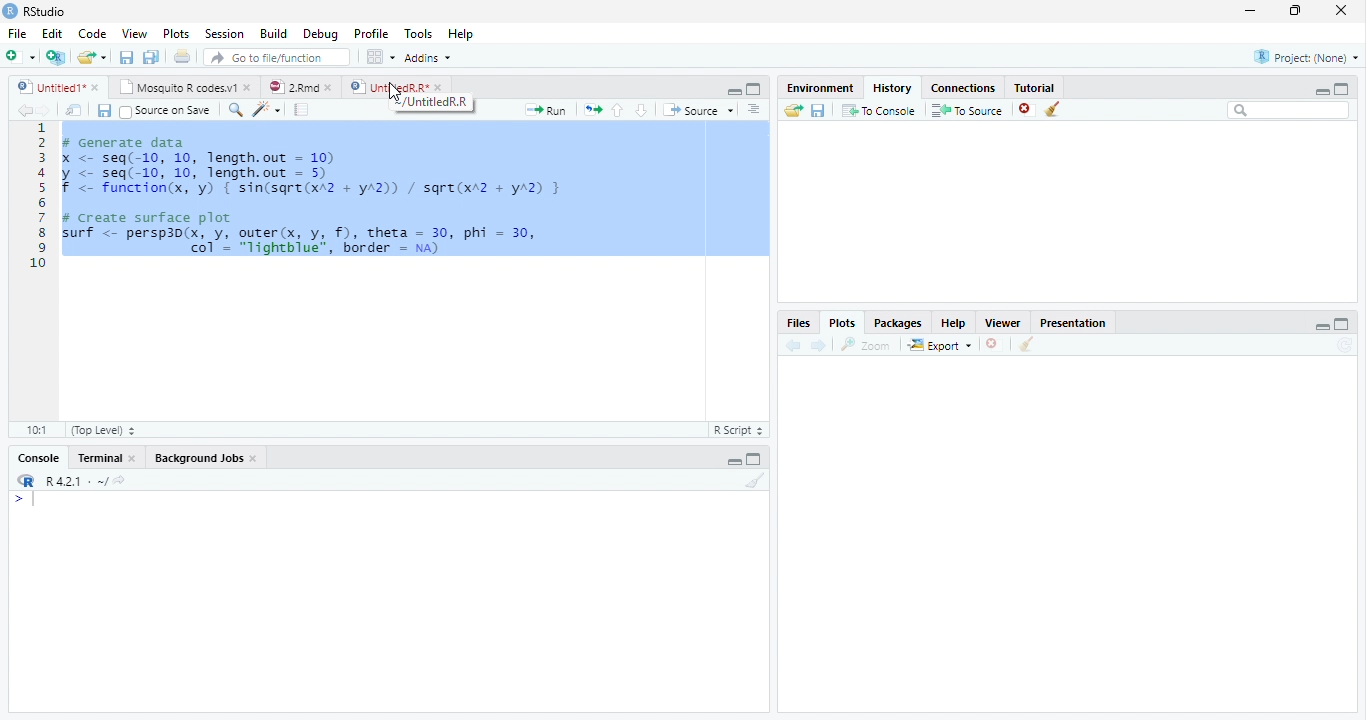 This screenshot has width=1366, height=720. What do you see at coordinates (1026, 110) in the screenshot?
I see `Remove the selected history entries` at bounding box center [1026, 110].